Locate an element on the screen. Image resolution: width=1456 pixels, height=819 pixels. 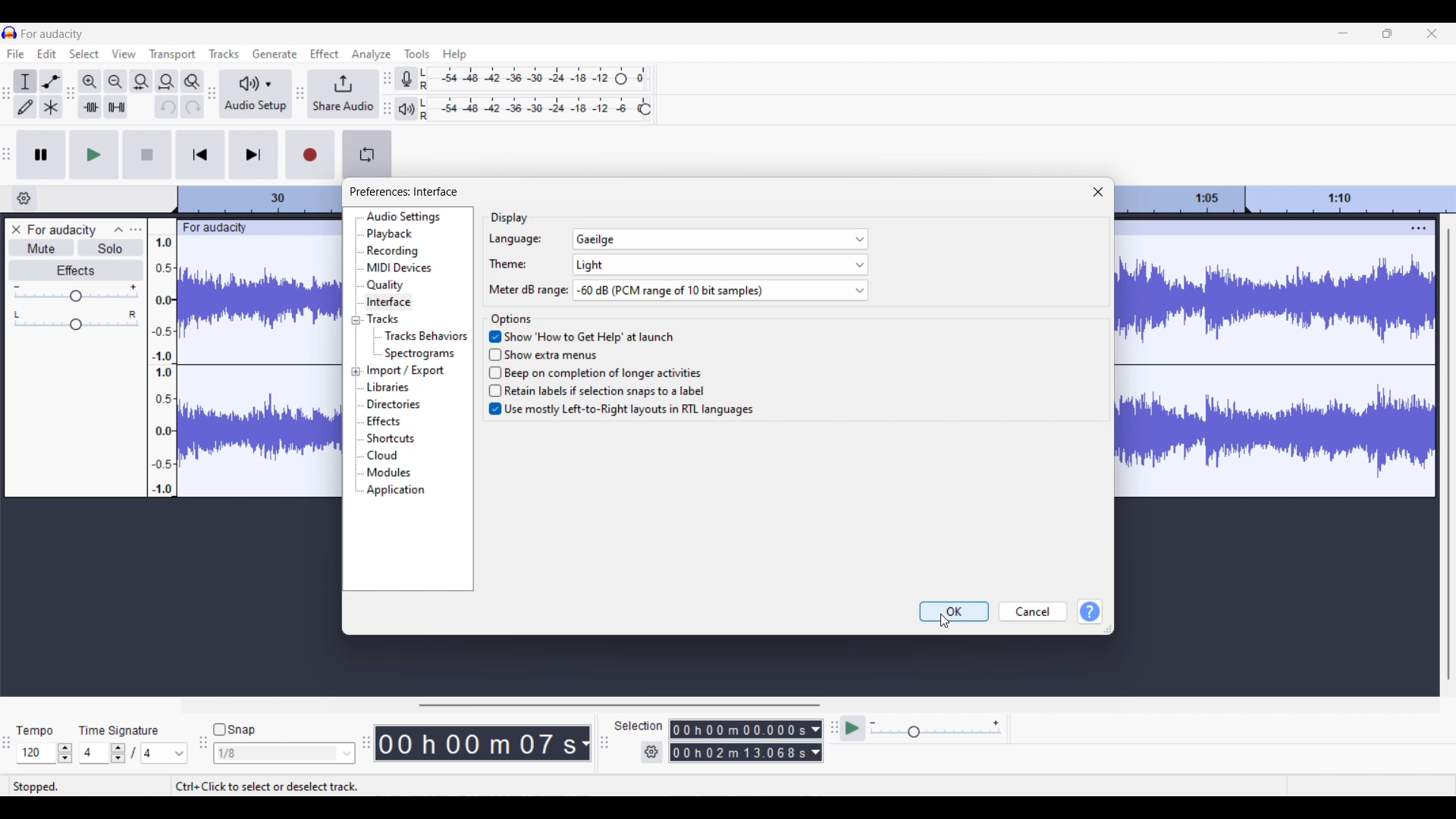
Play/Play once is located at coordinates (94, 155).